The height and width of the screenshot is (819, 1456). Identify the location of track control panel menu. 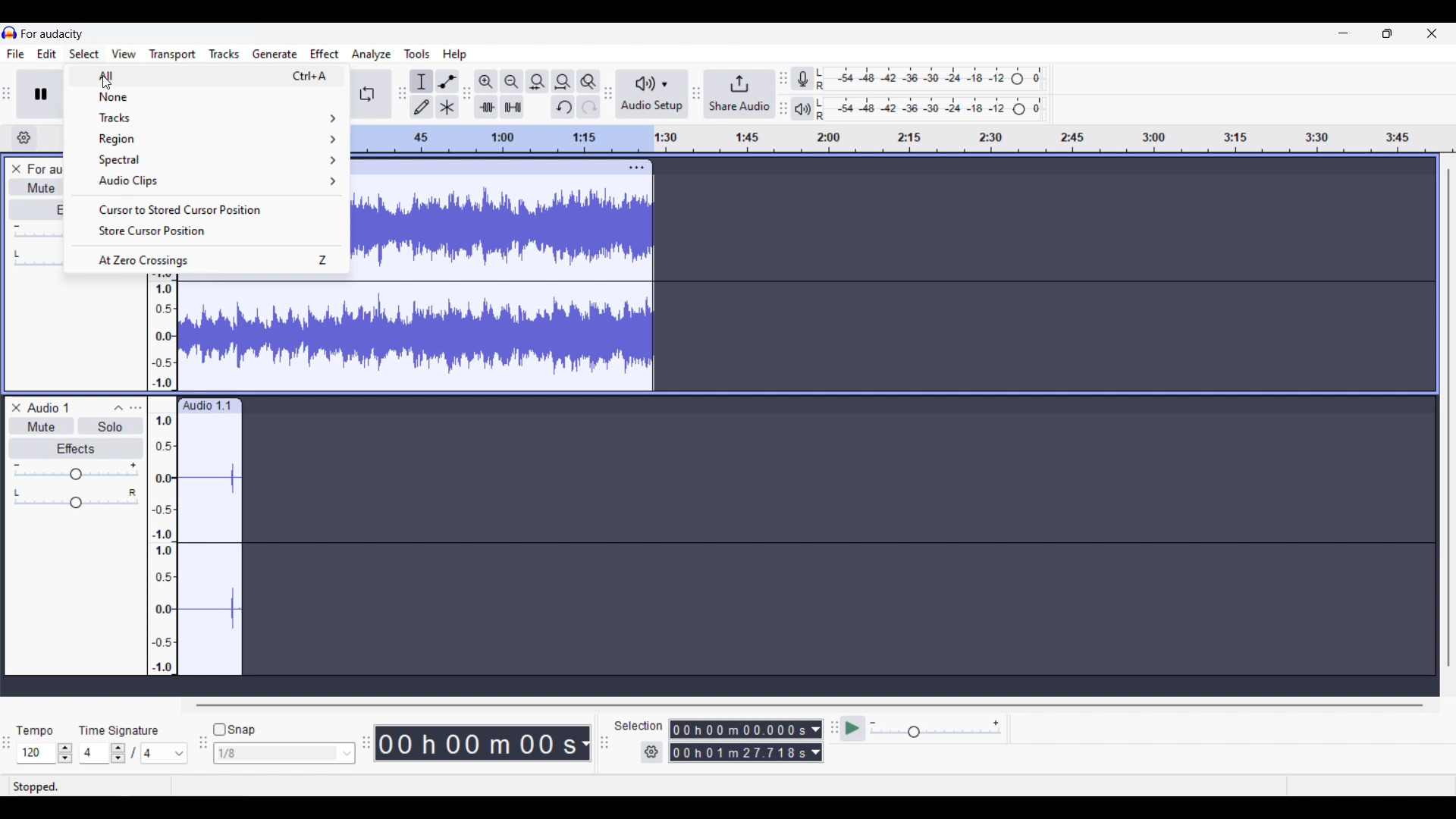
(136, 408).